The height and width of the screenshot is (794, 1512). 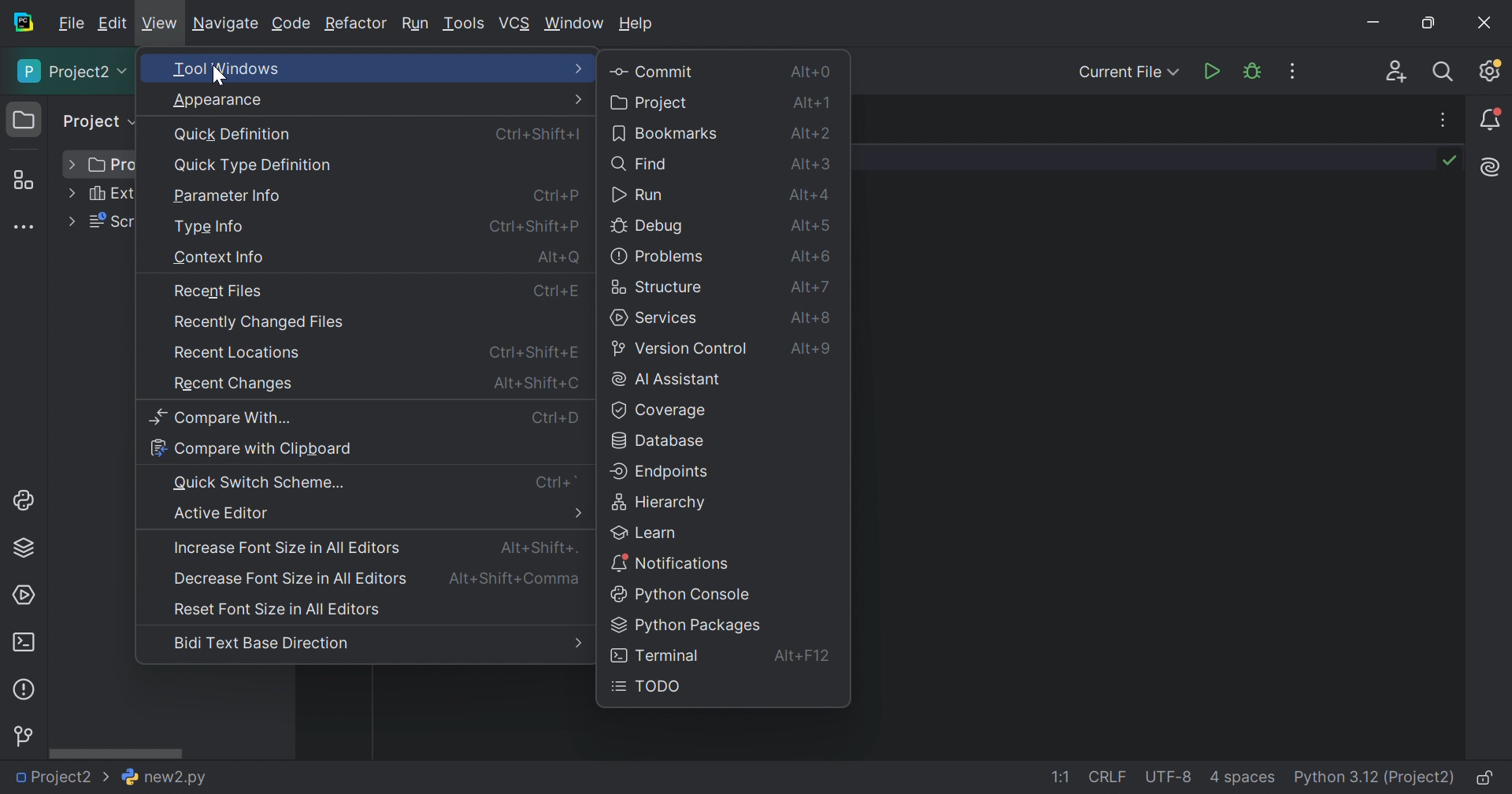 I want to click on Services, so click(x=655, y=318).